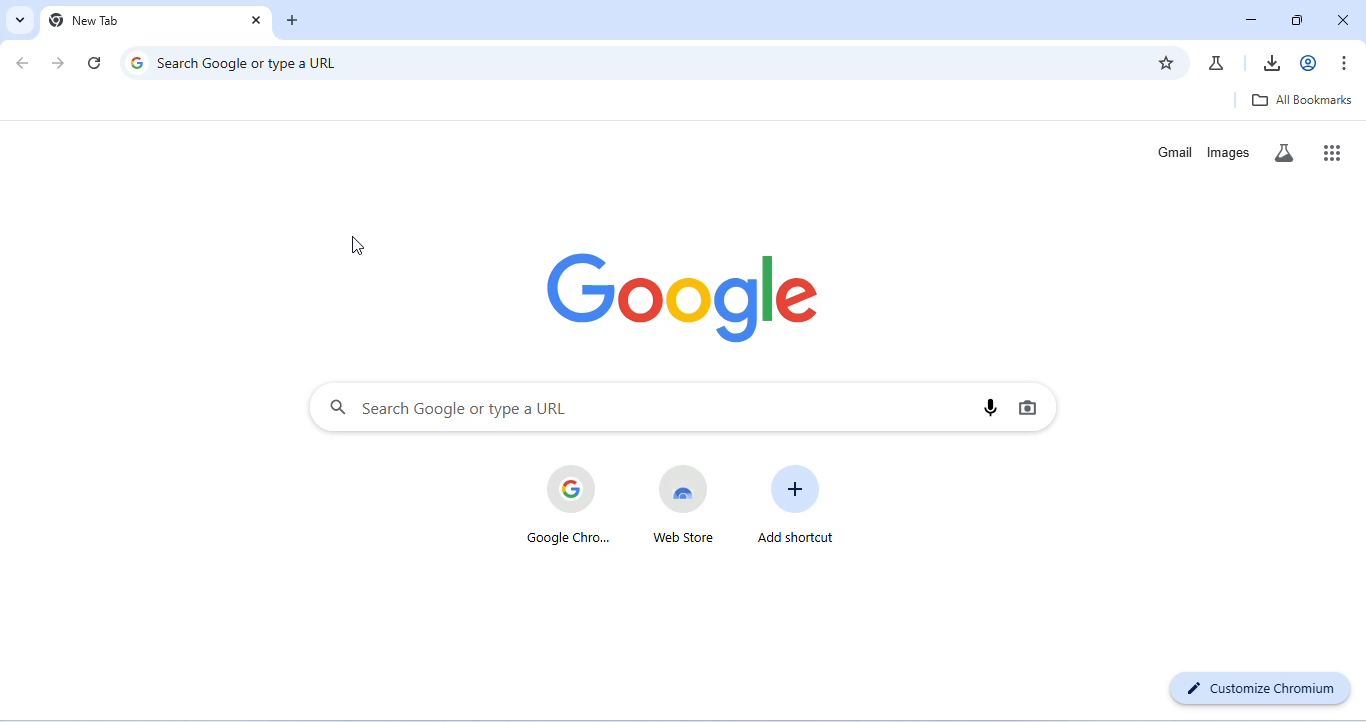  I want to click on search google or type URL, so click(629, 62).